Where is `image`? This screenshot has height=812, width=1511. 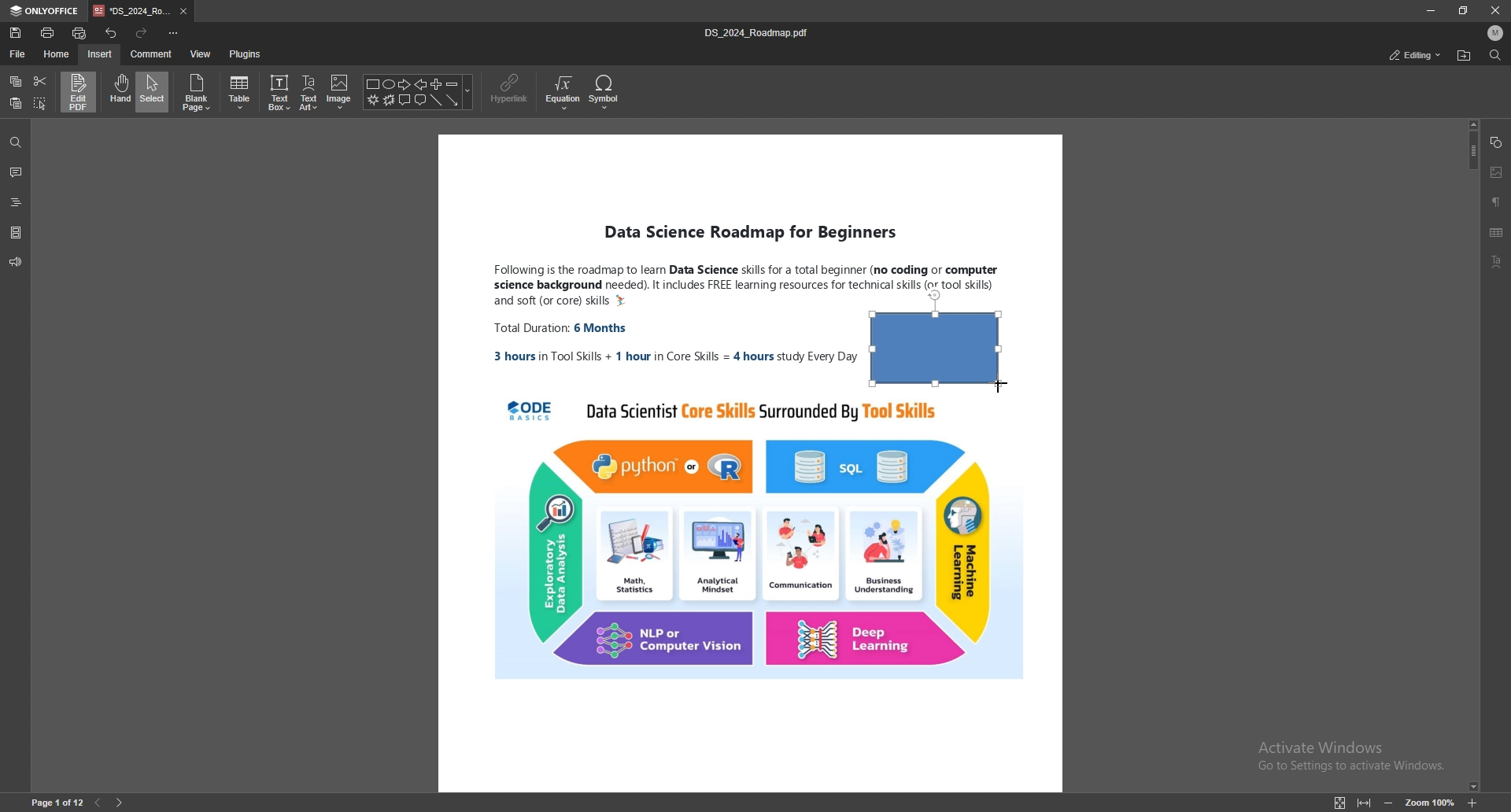
image is located at coordinates (339, 92).